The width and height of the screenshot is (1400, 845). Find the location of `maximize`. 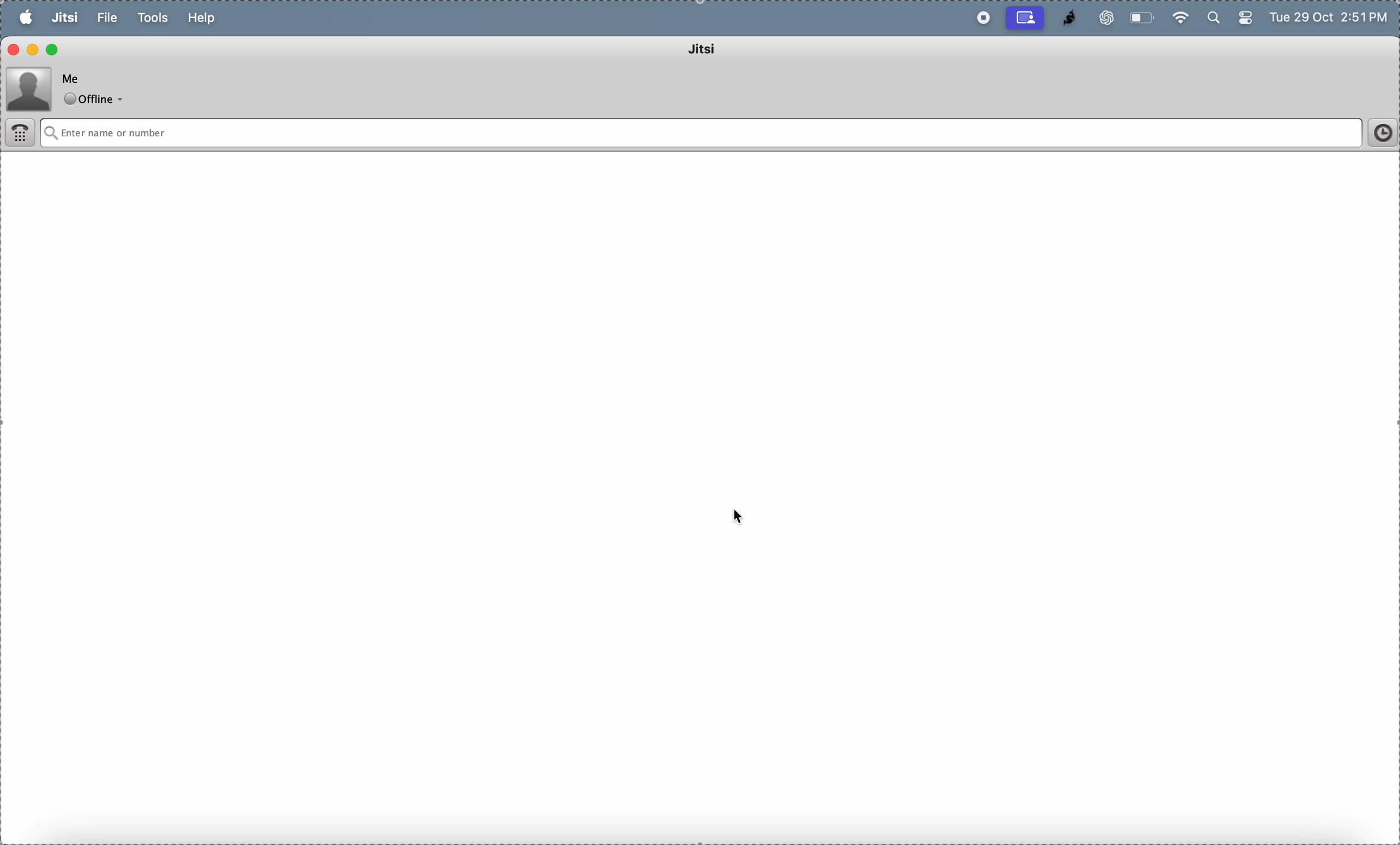

maximize is located at coordinates (53, 48).